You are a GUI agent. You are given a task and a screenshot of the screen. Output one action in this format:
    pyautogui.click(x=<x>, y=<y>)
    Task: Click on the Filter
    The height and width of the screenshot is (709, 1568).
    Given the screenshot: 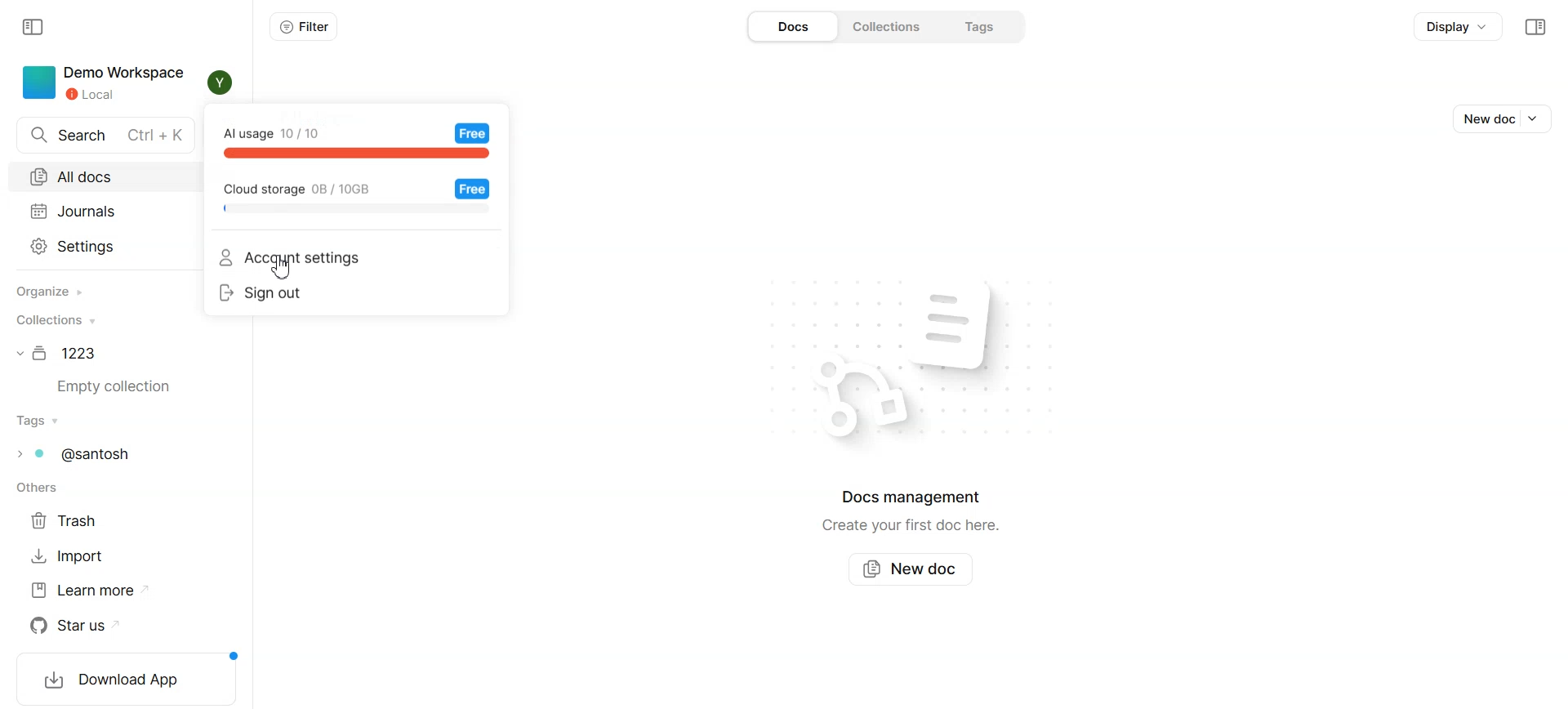 What is the action you would take?
    pyautogui.click(x=304, y=27)
    